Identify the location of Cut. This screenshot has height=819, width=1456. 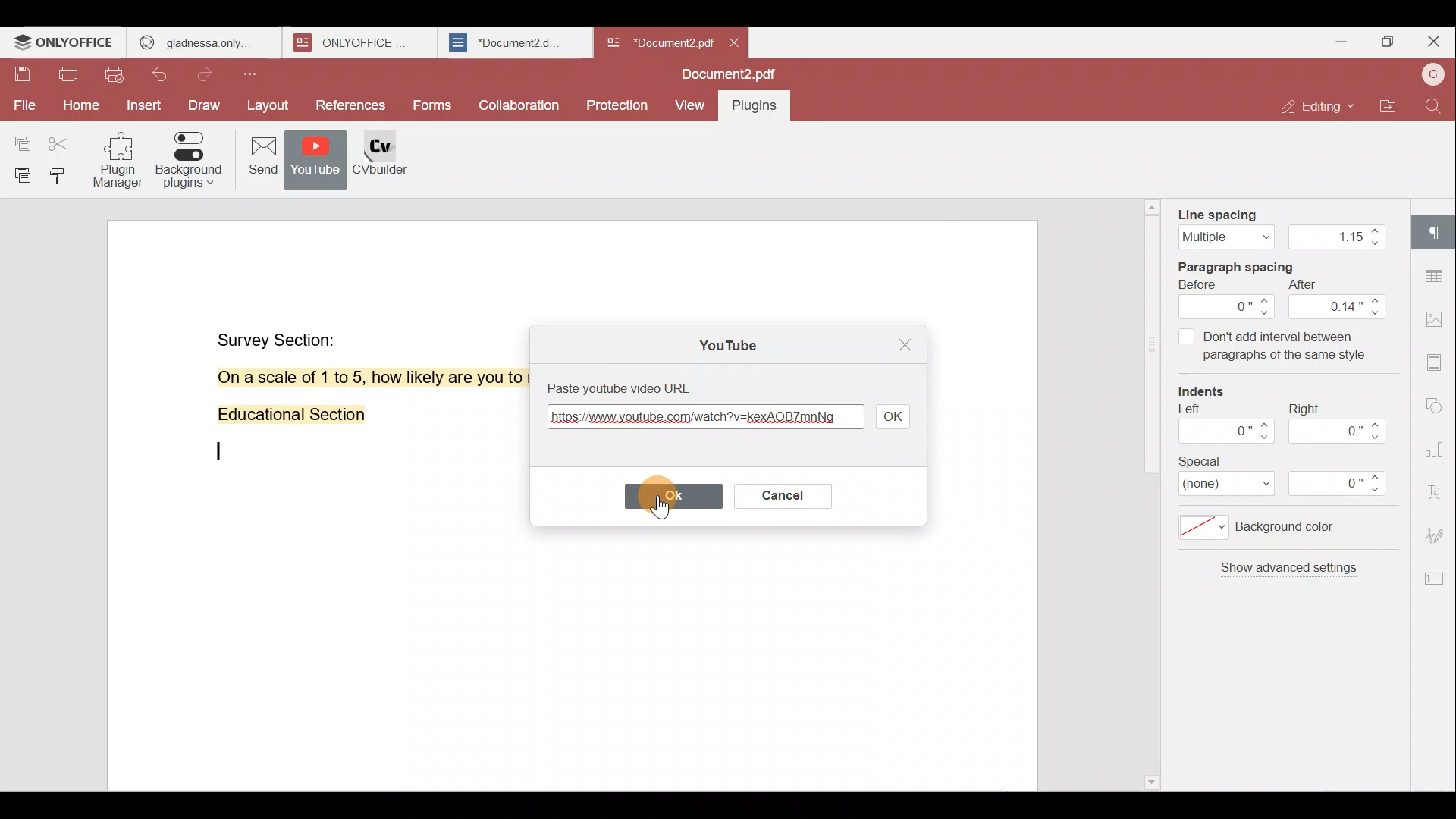
(64, 140).